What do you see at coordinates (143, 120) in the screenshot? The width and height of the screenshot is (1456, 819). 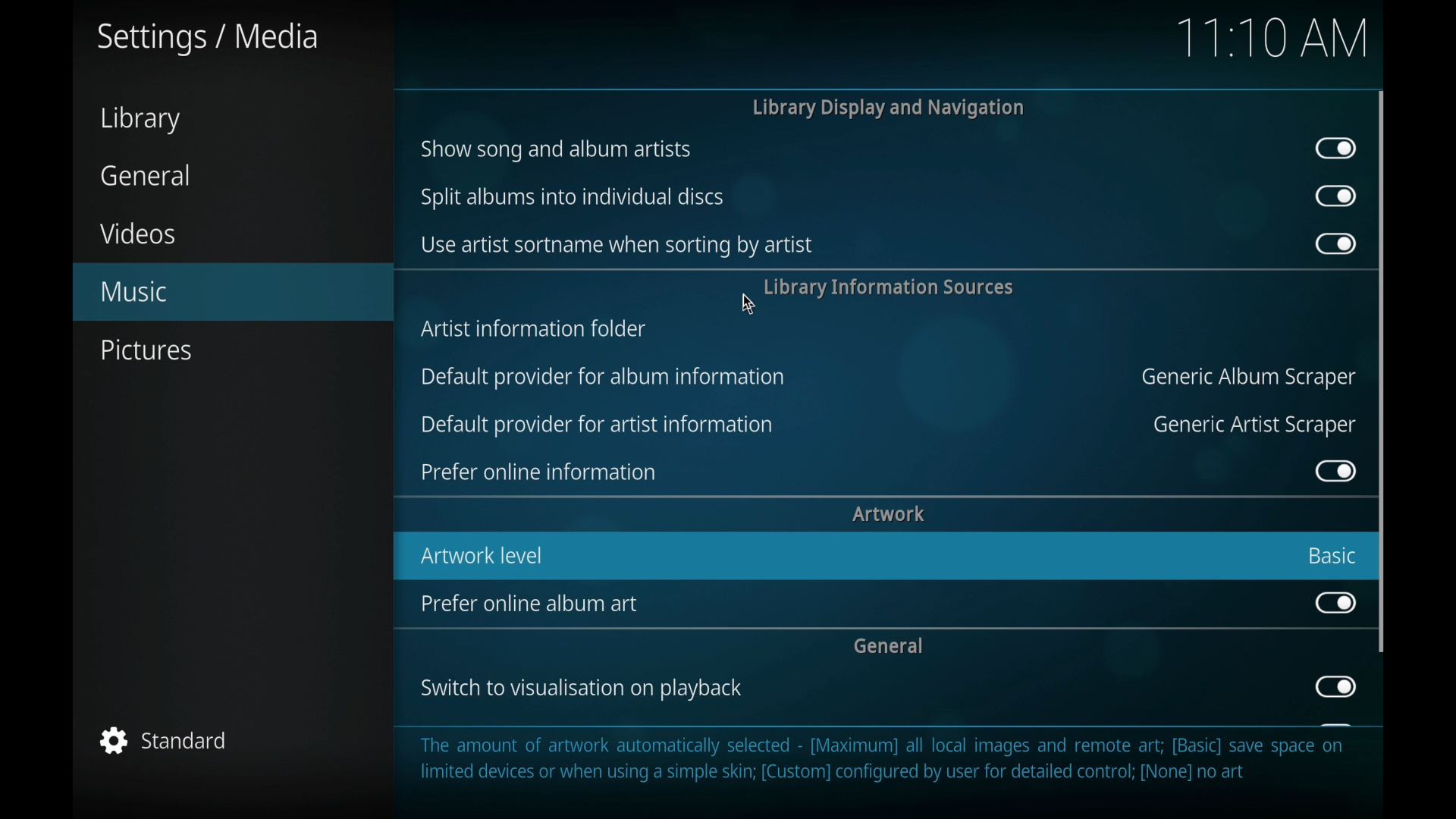 I see `library` at bounding box center [143, 120].